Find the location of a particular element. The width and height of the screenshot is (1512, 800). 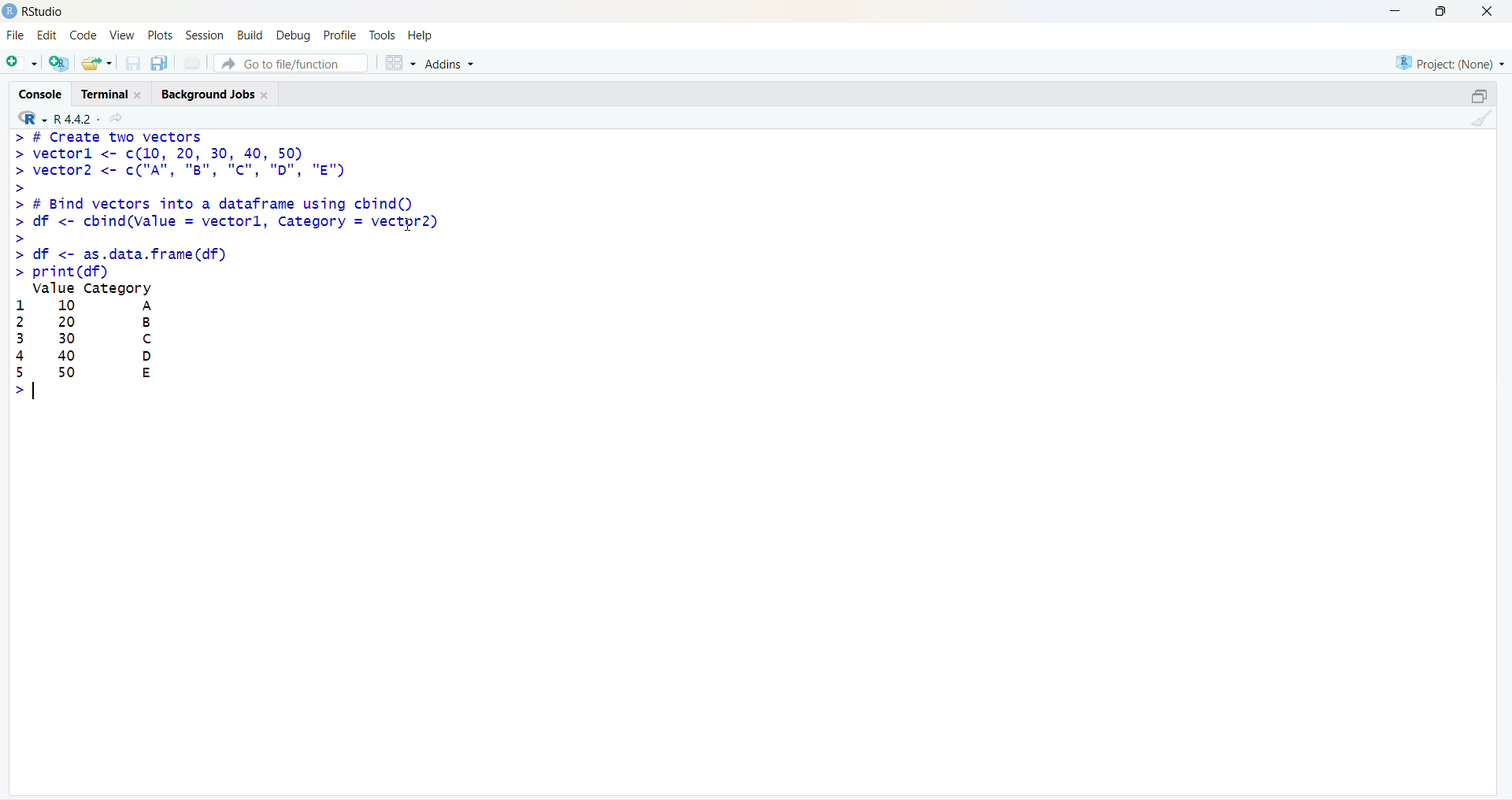

Build is located at coordinates (250, 34).